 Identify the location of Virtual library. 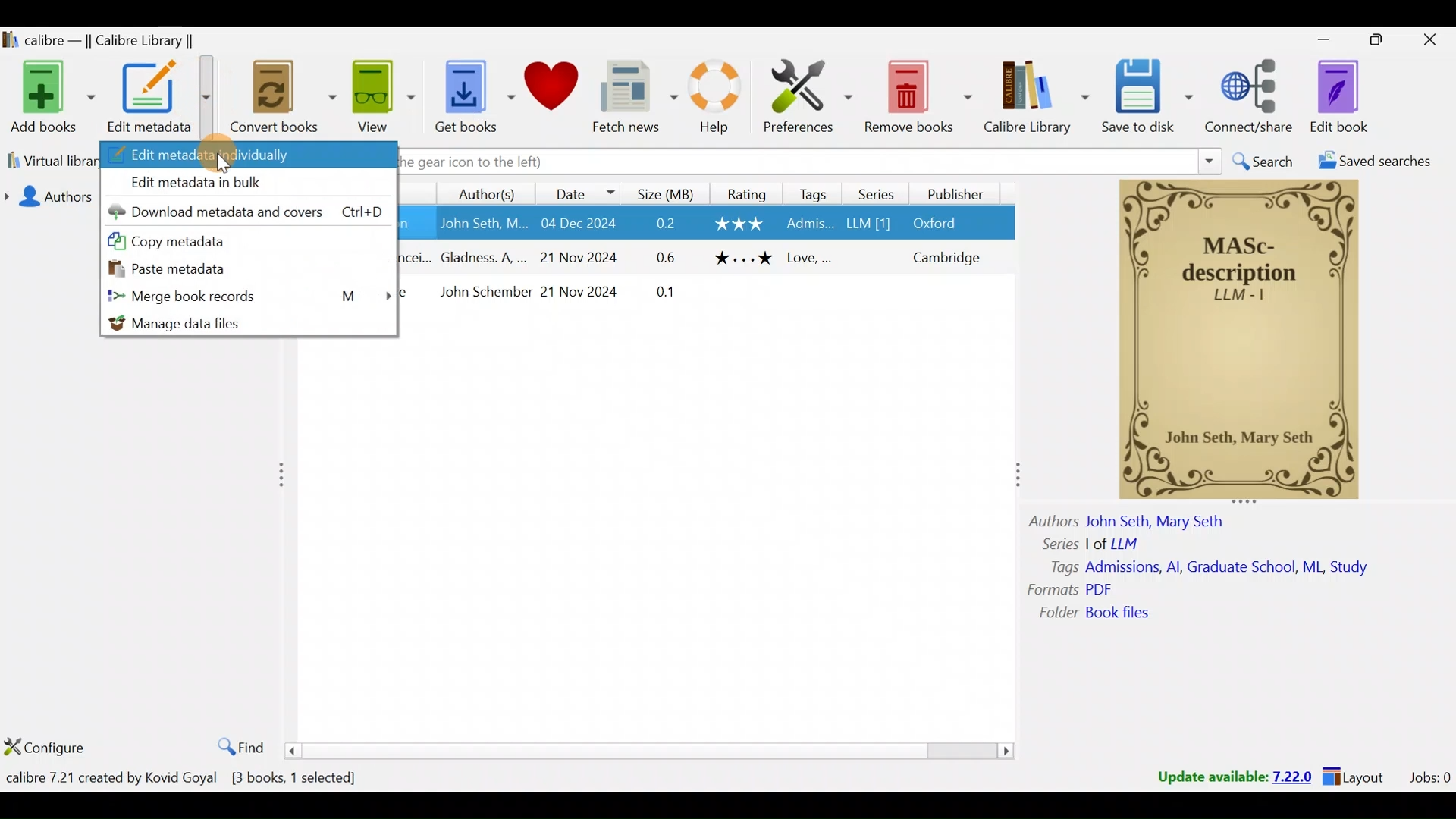
(50, 162).